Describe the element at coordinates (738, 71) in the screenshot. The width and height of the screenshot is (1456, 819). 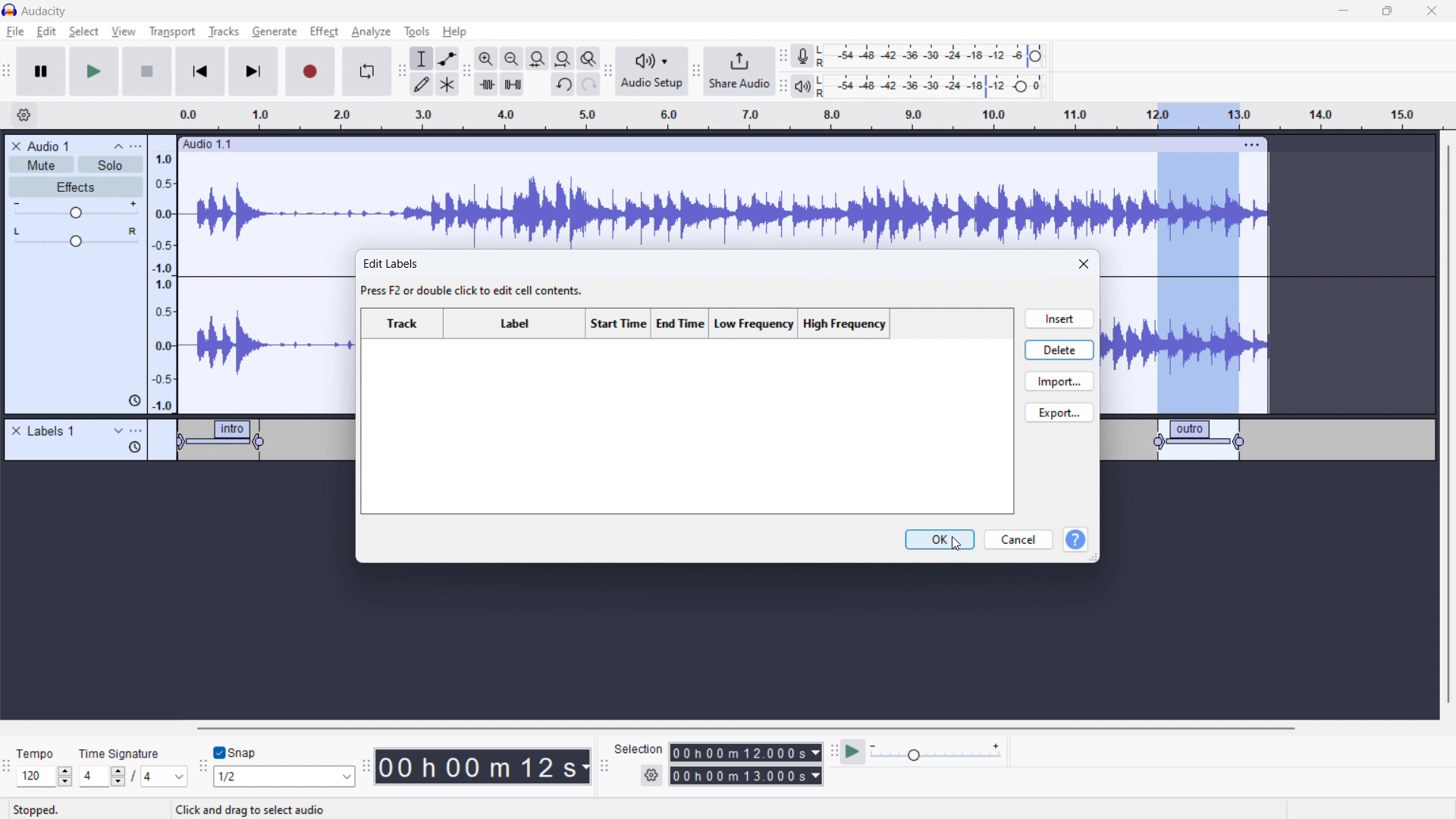
I see `share audio` at that location.